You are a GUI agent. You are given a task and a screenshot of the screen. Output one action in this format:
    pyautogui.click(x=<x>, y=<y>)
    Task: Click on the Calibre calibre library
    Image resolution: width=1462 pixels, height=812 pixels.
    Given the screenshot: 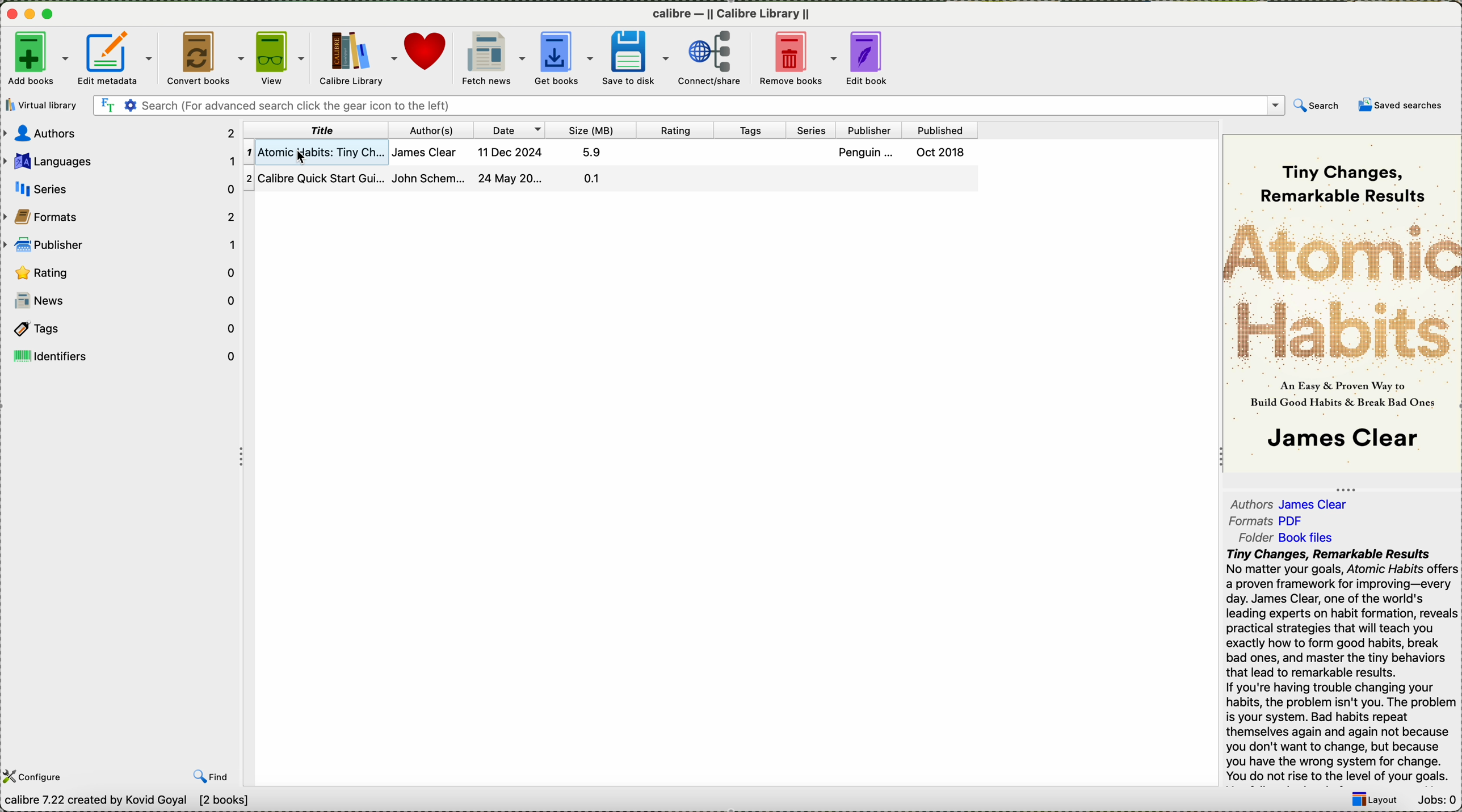 What is the action you would take?
    pyautogui.click(x=731, y=14)
    